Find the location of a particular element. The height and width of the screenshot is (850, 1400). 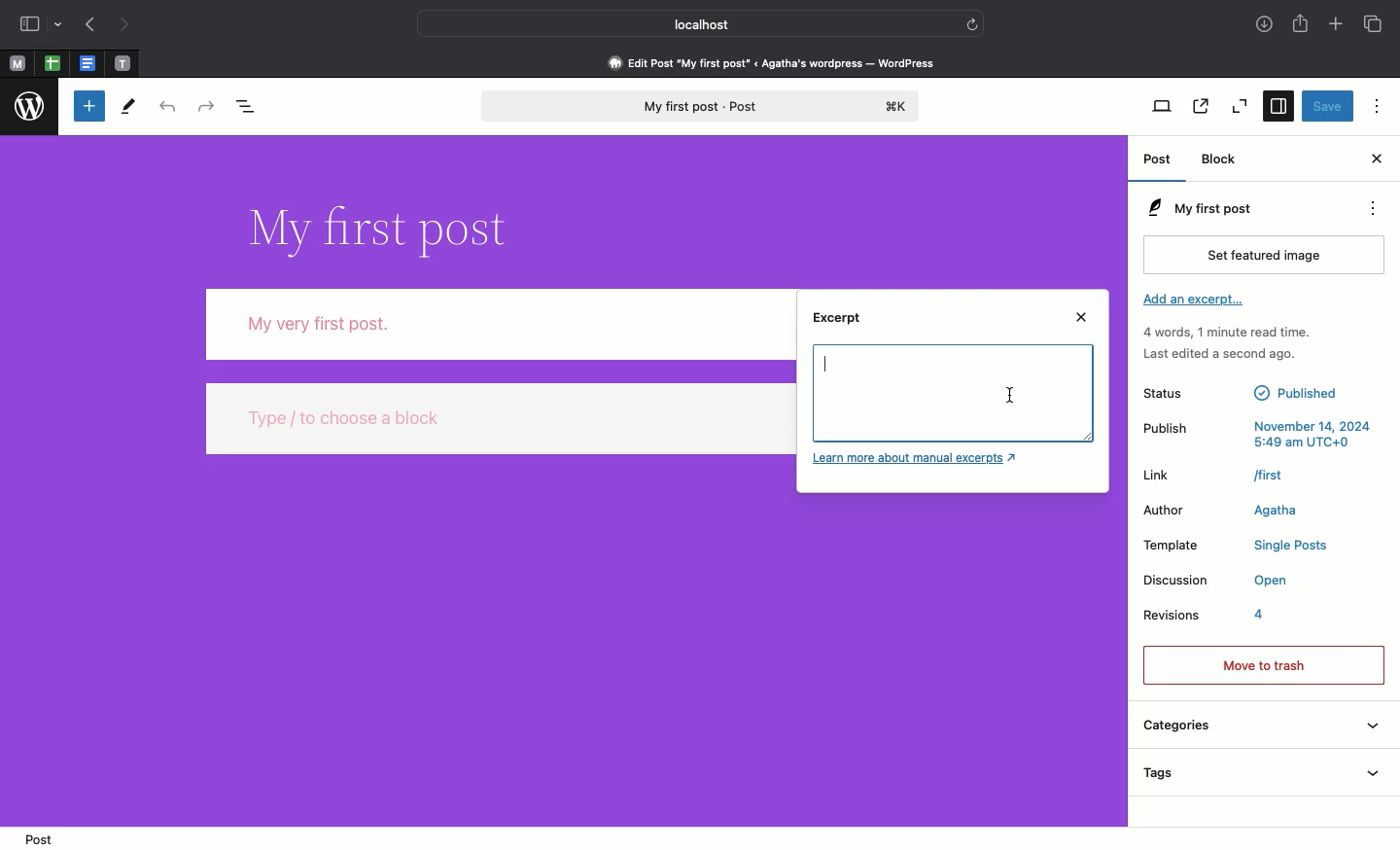

Text box is located at coordinates (976, 394).